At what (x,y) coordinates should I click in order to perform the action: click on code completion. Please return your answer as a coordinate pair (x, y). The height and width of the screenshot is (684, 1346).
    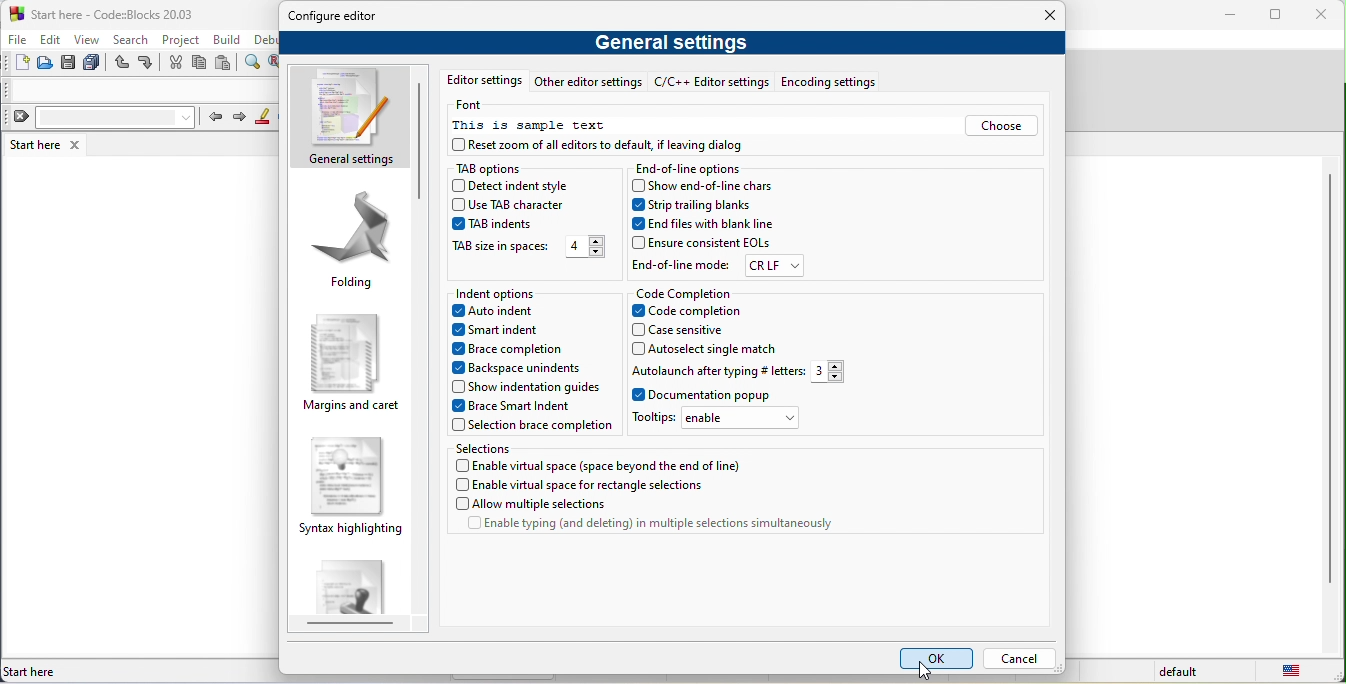
    Looking at the image, I should click on (685, 291).